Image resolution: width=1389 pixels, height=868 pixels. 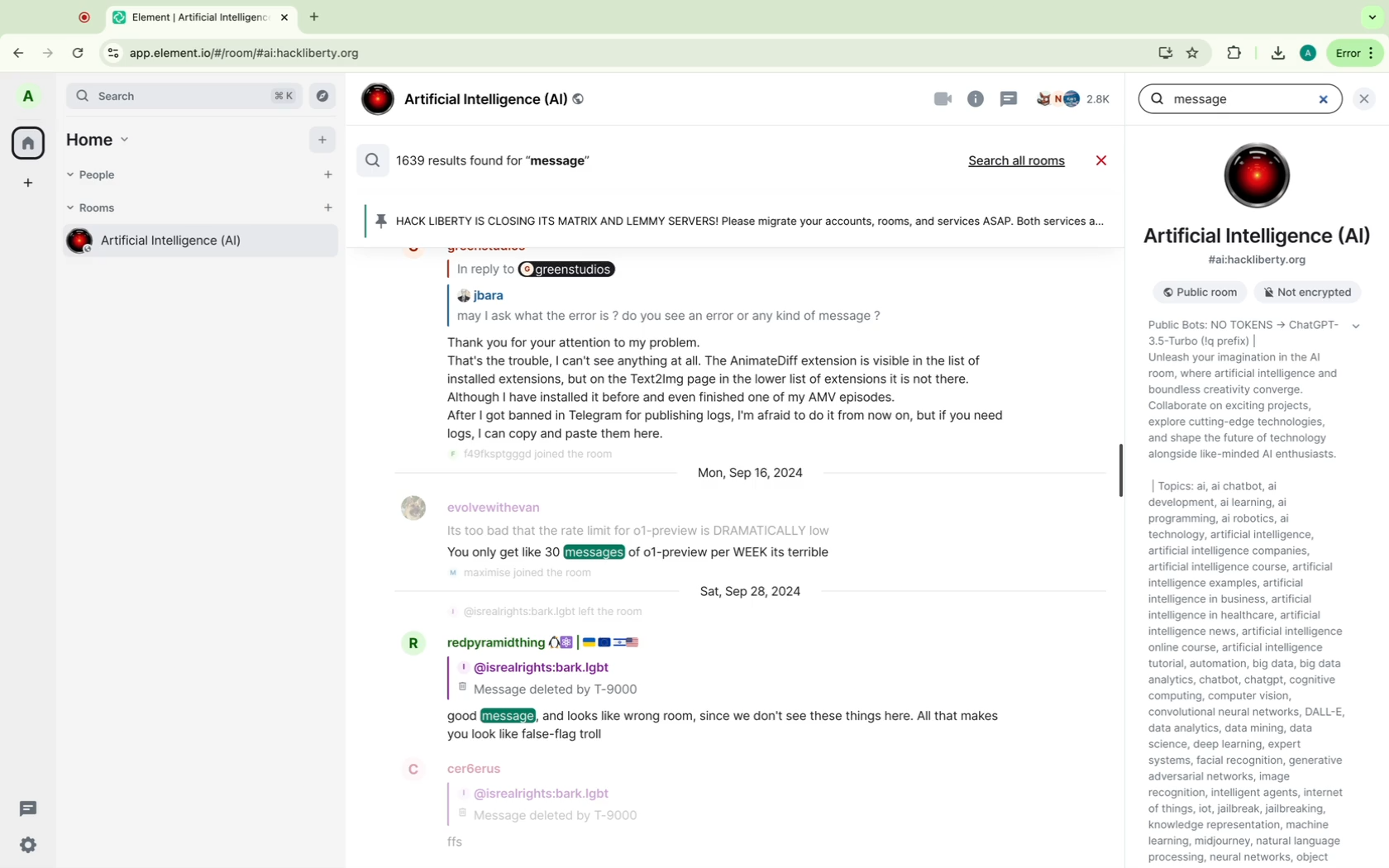 What do you see at coordinates (1234, 55) in the screenshot?
I see `extentions` at bounding box center [1234, 55].